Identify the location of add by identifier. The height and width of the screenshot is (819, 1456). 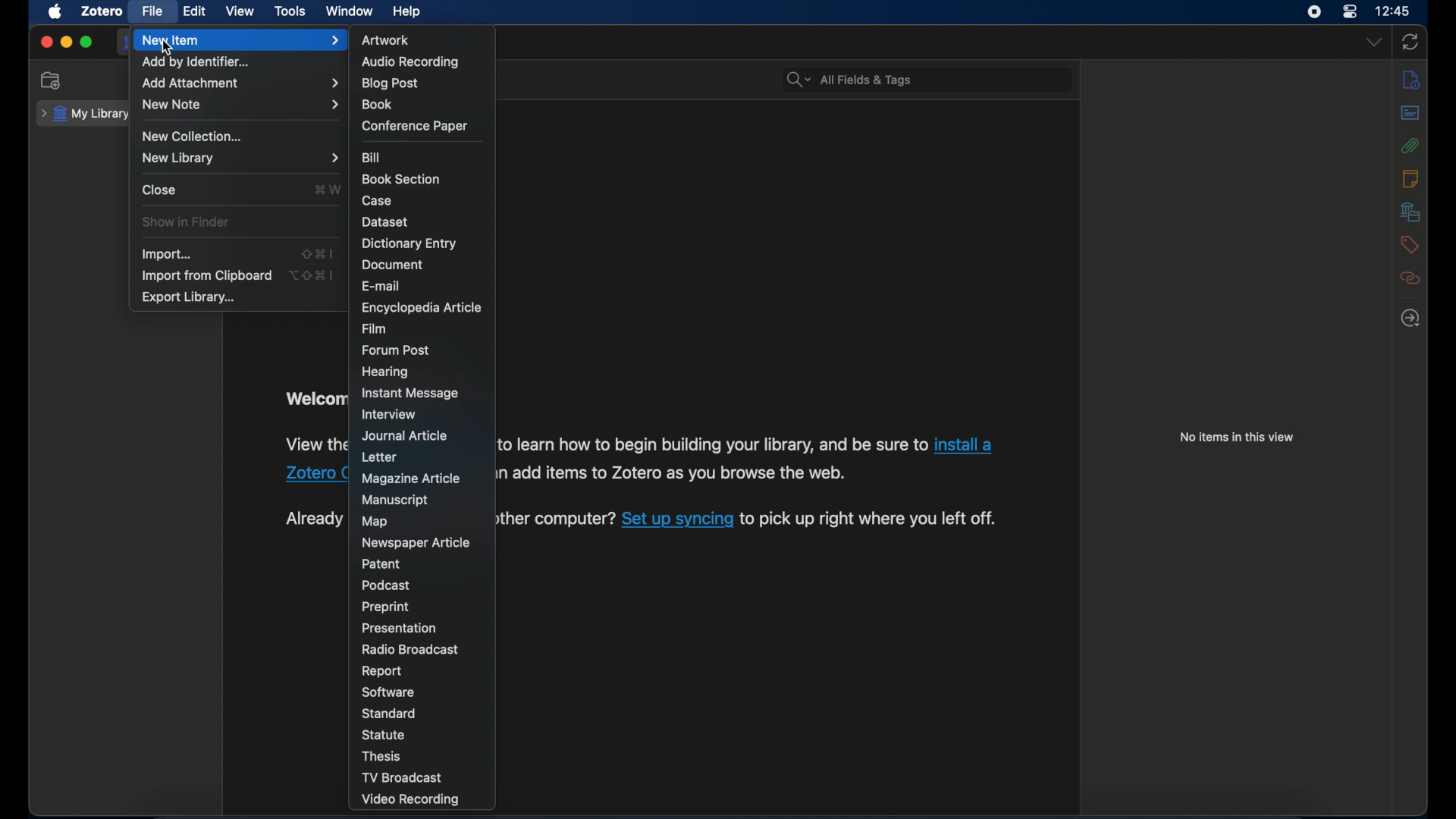
(195, 62).